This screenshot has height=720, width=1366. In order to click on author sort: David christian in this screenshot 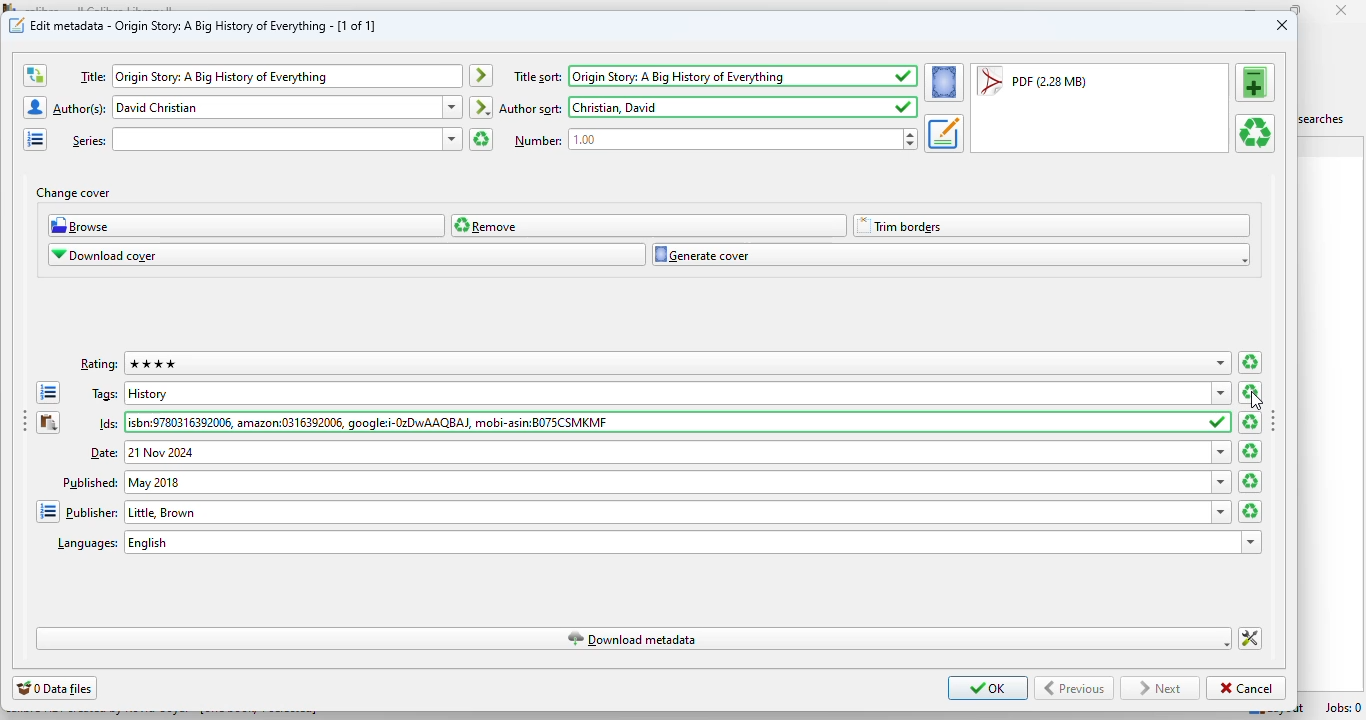, I will do `click(729, 106)`.